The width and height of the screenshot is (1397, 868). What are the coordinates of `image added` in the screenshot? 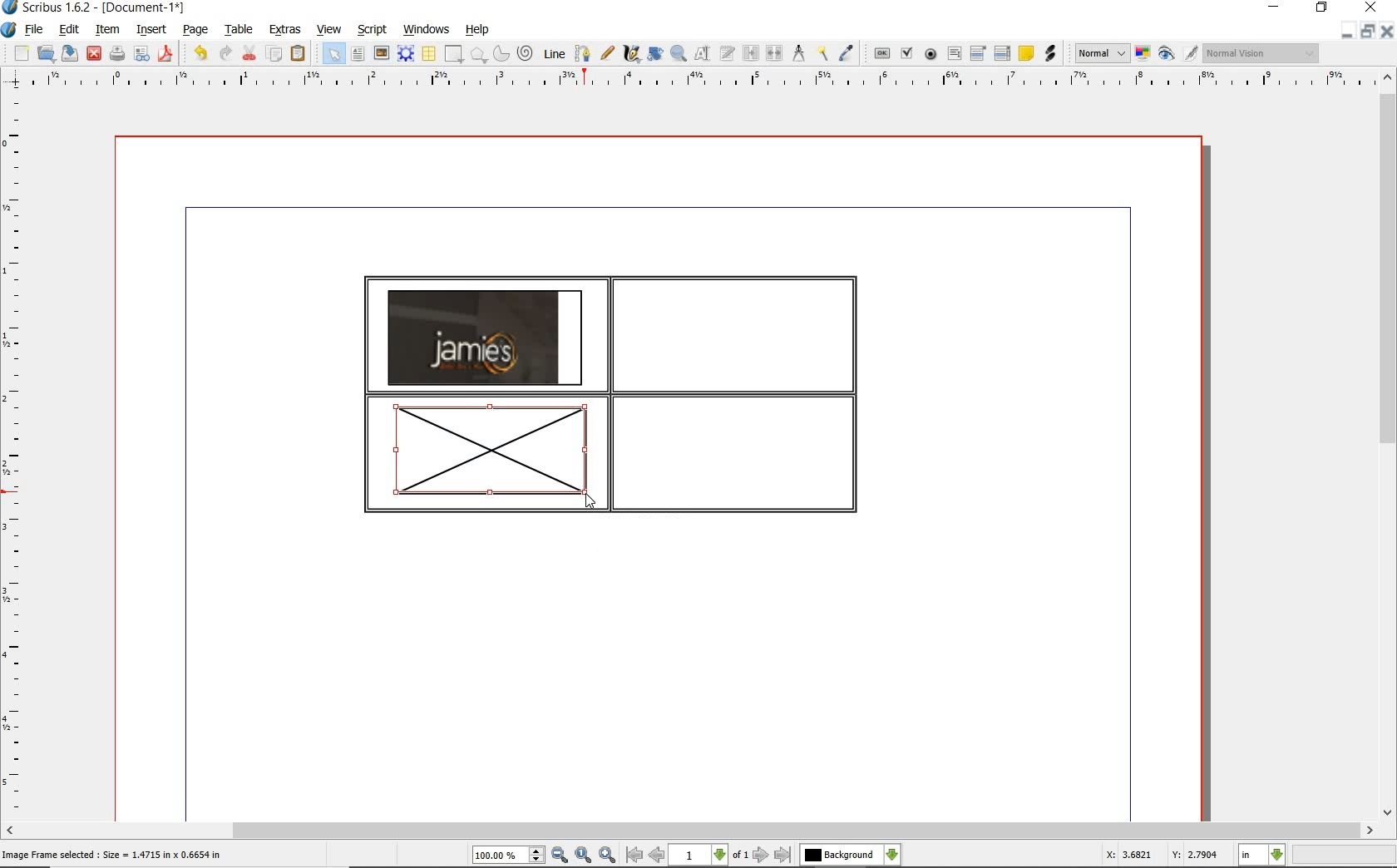 It's located at (485, 337).